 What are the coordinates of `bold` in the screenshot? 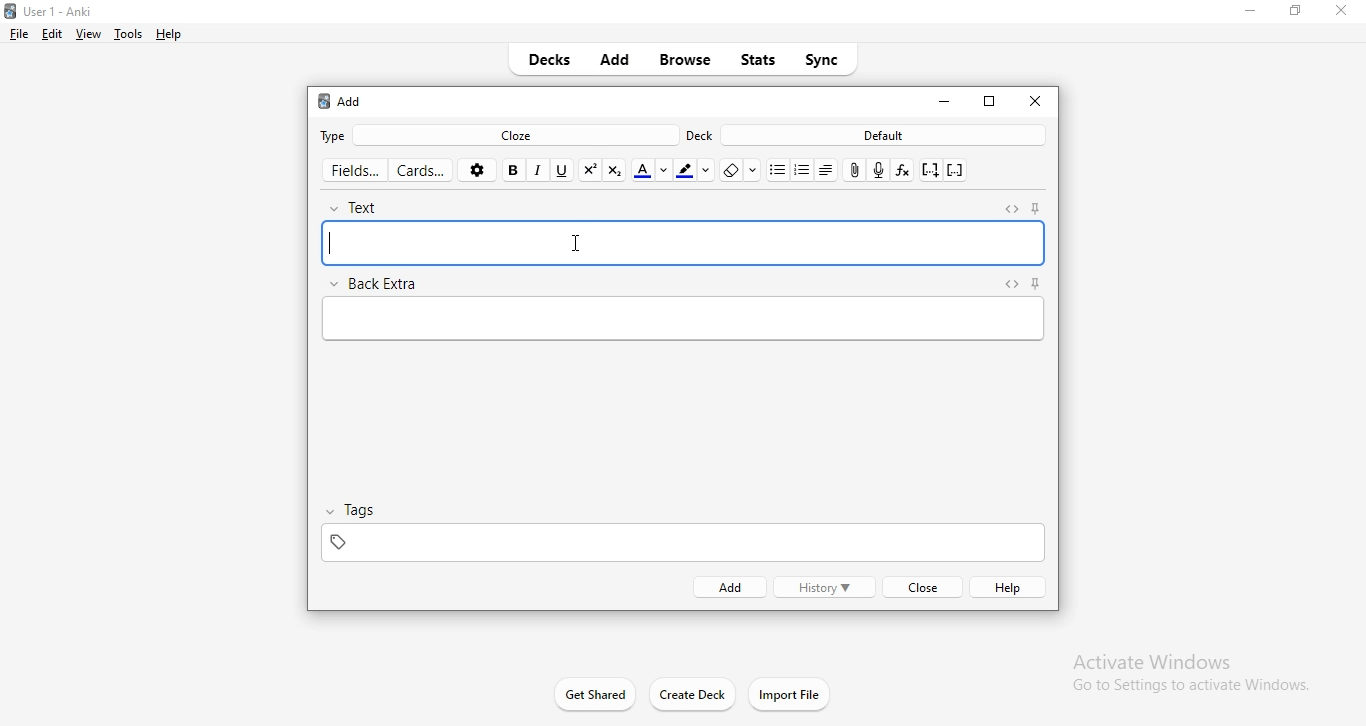 It's located at (515, 169).